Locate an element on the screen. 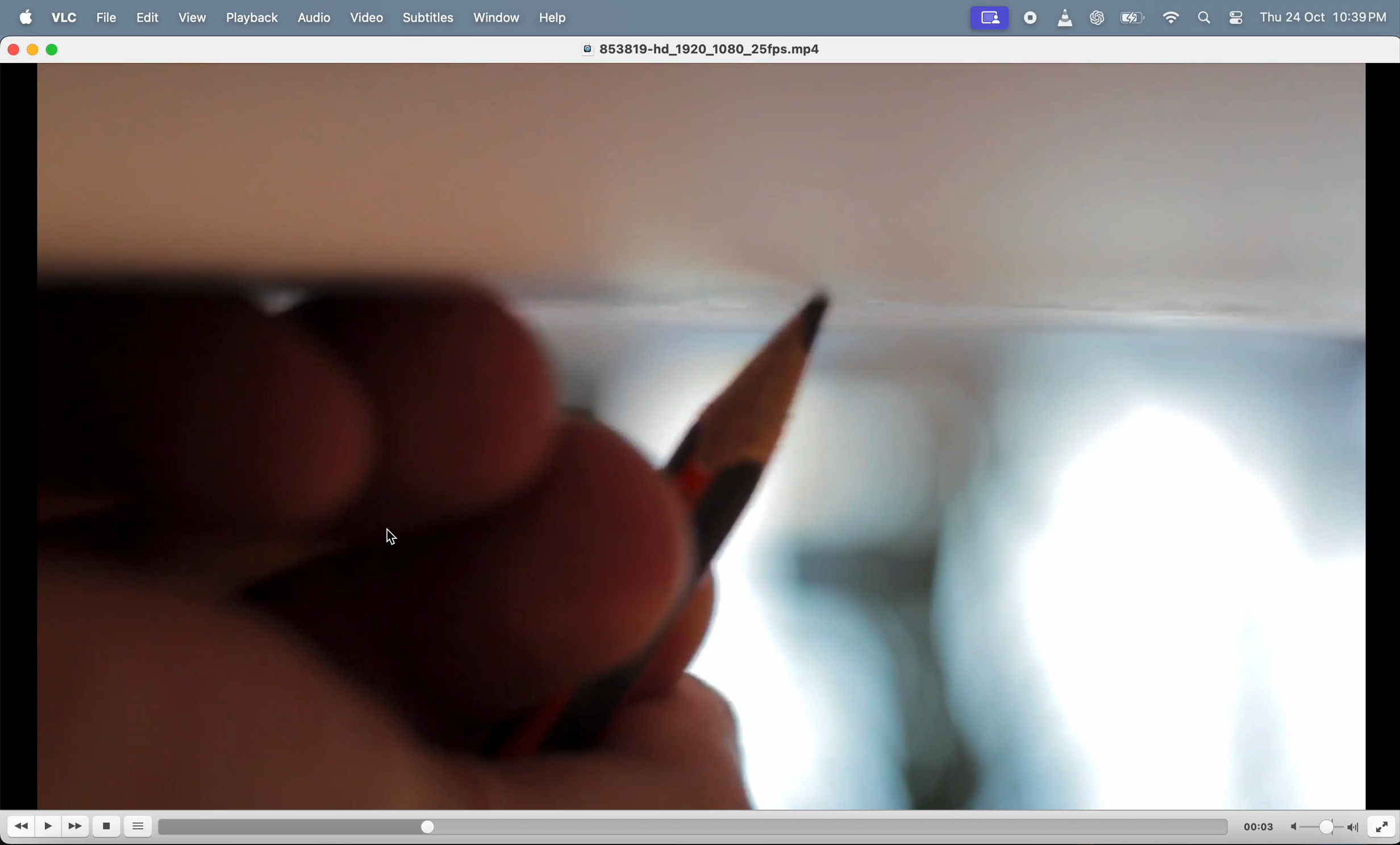 The image size is (1400, 845). time is located at coordinates (1259, 826).